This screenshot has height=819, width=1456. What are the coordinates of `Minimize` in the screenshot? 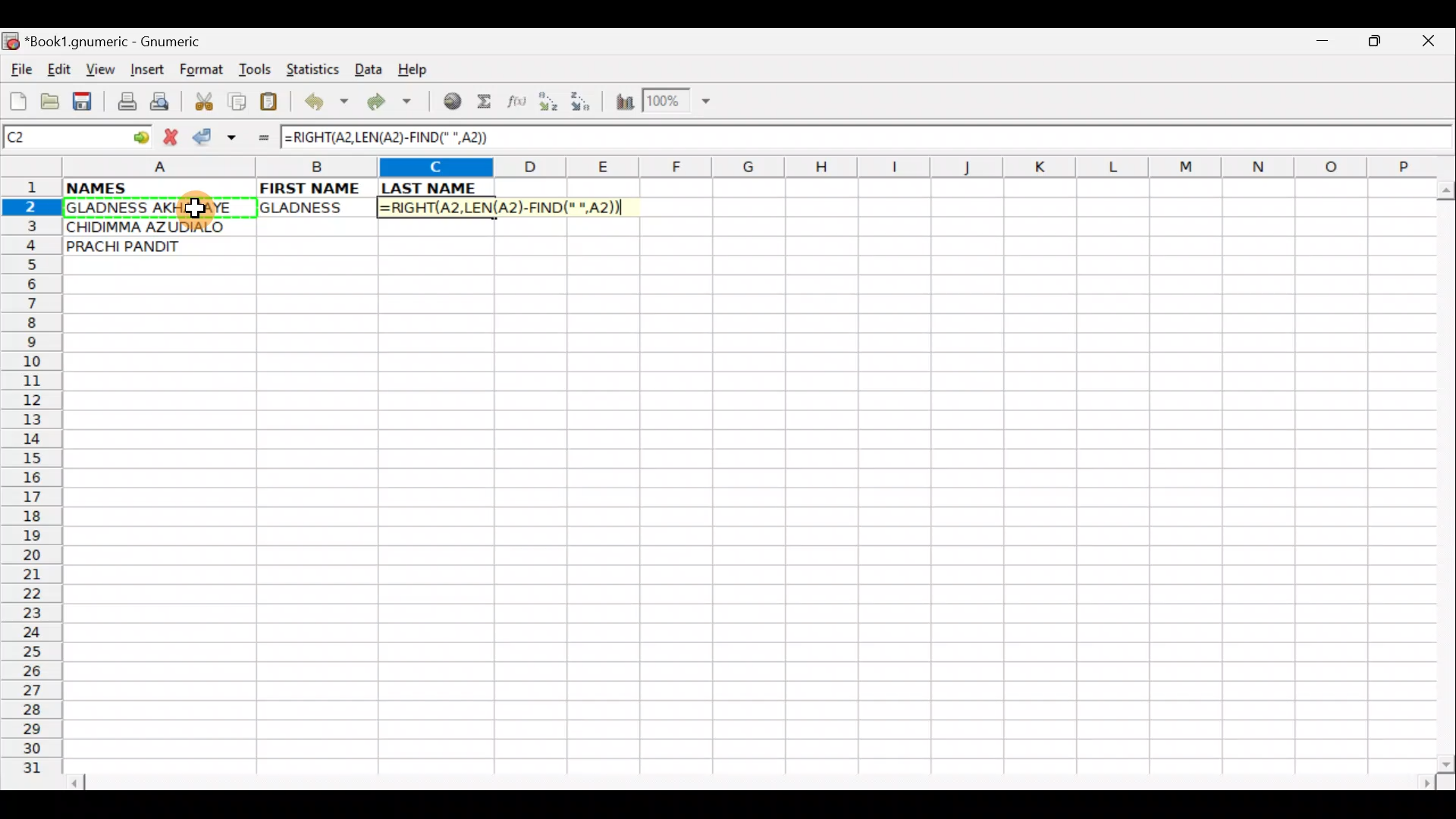 It's located at (1319, 45).